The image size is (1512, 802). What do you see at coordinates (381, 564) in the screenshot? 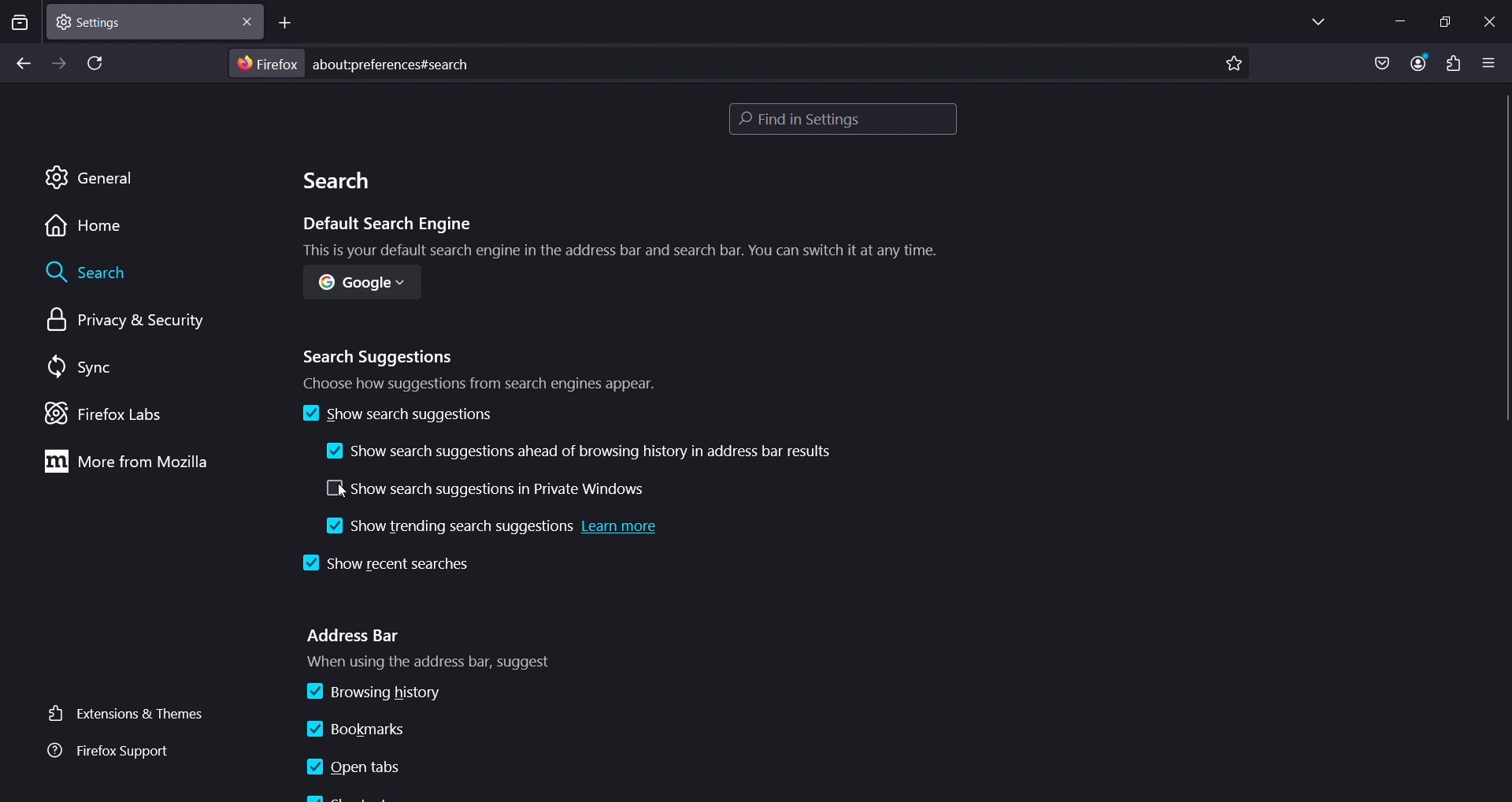
I see `show recent searches` at bounding box center [381, 564].